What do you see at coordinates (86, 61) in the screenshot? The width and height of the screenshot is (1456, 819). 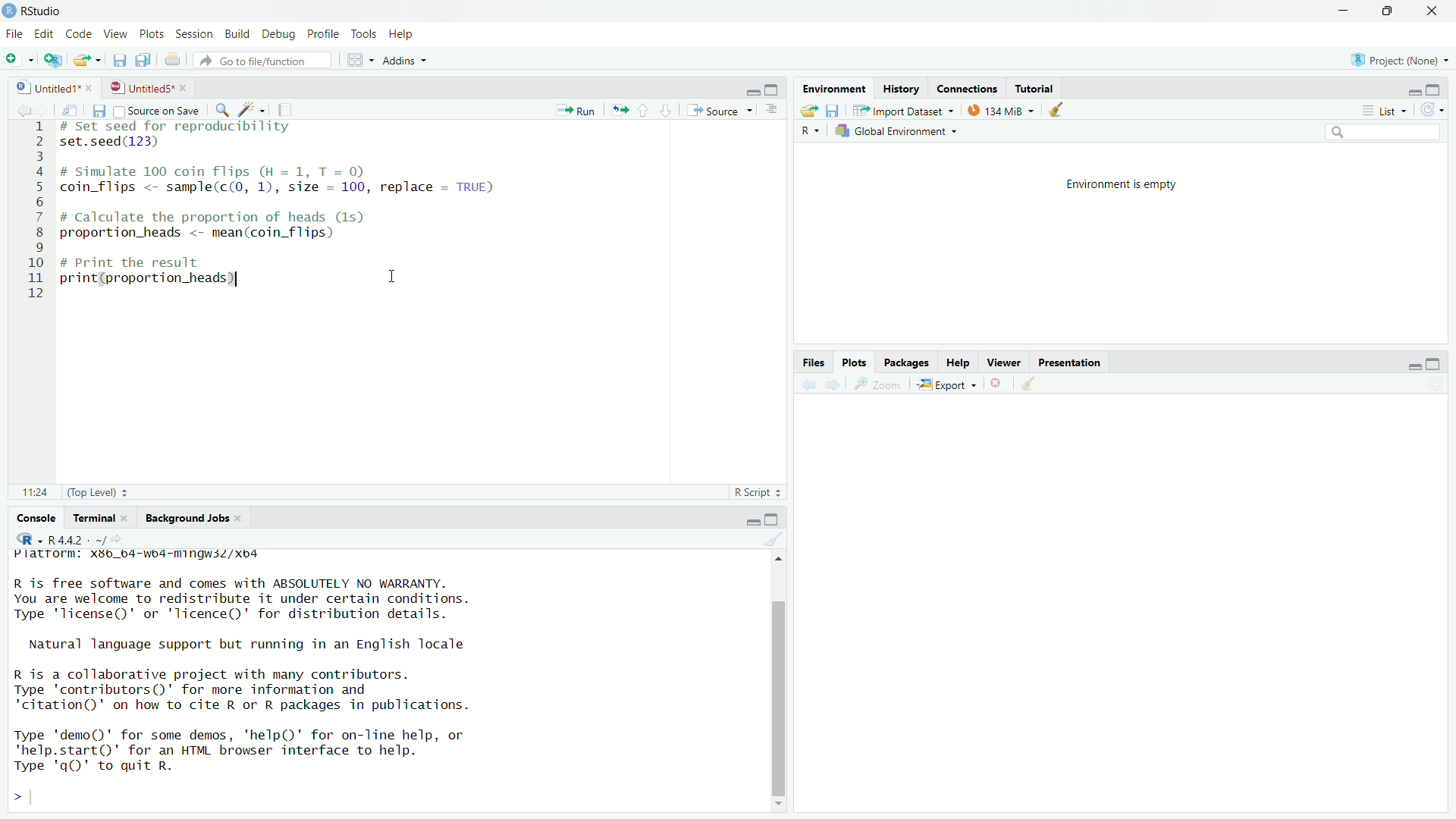 I see `open an existing file` at bounding box center [86, 61].